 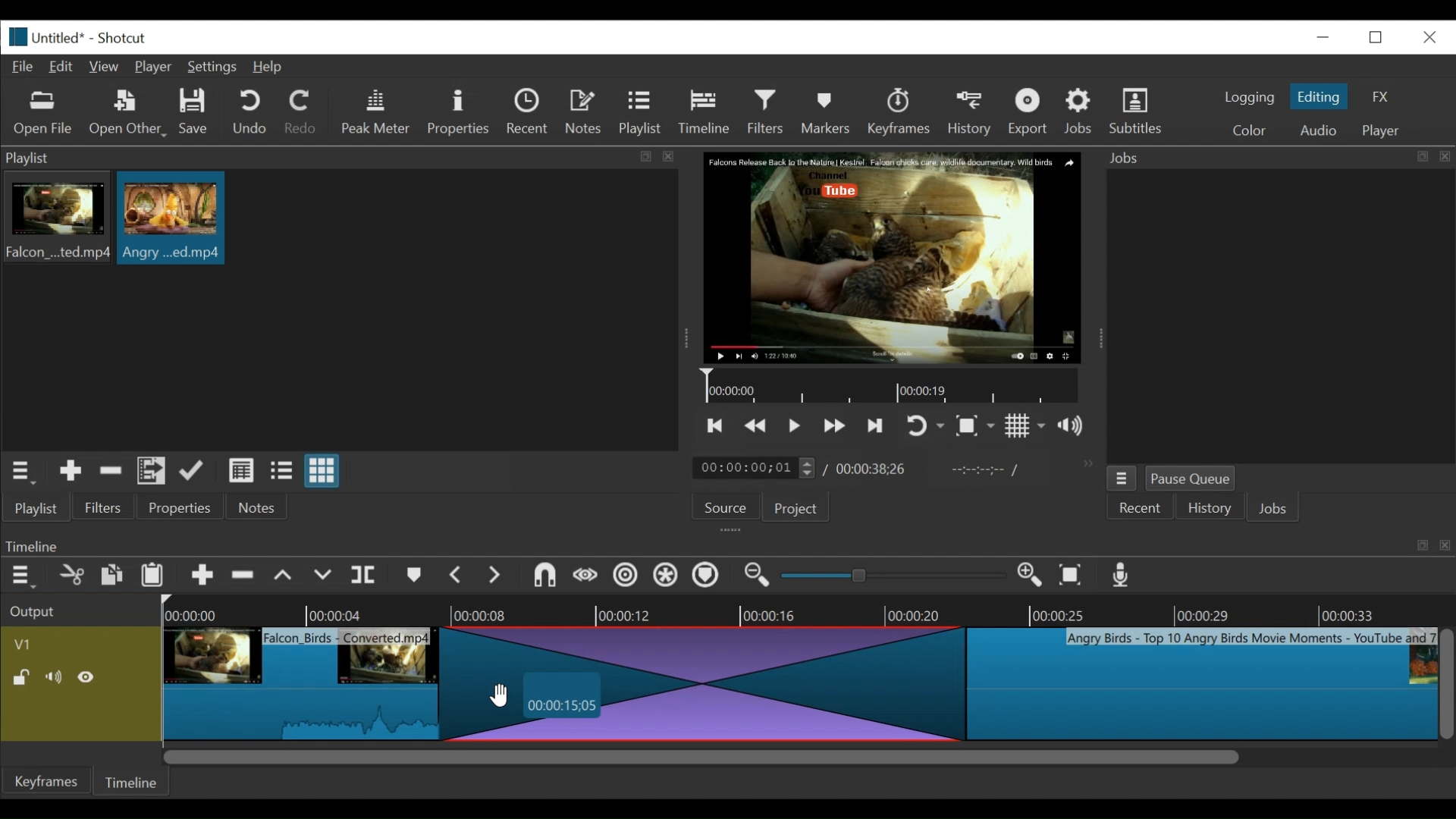 What do you see at coordinates (641, 114) in the screenshot?
I see `Playlist` at bounding box center [641, 114].